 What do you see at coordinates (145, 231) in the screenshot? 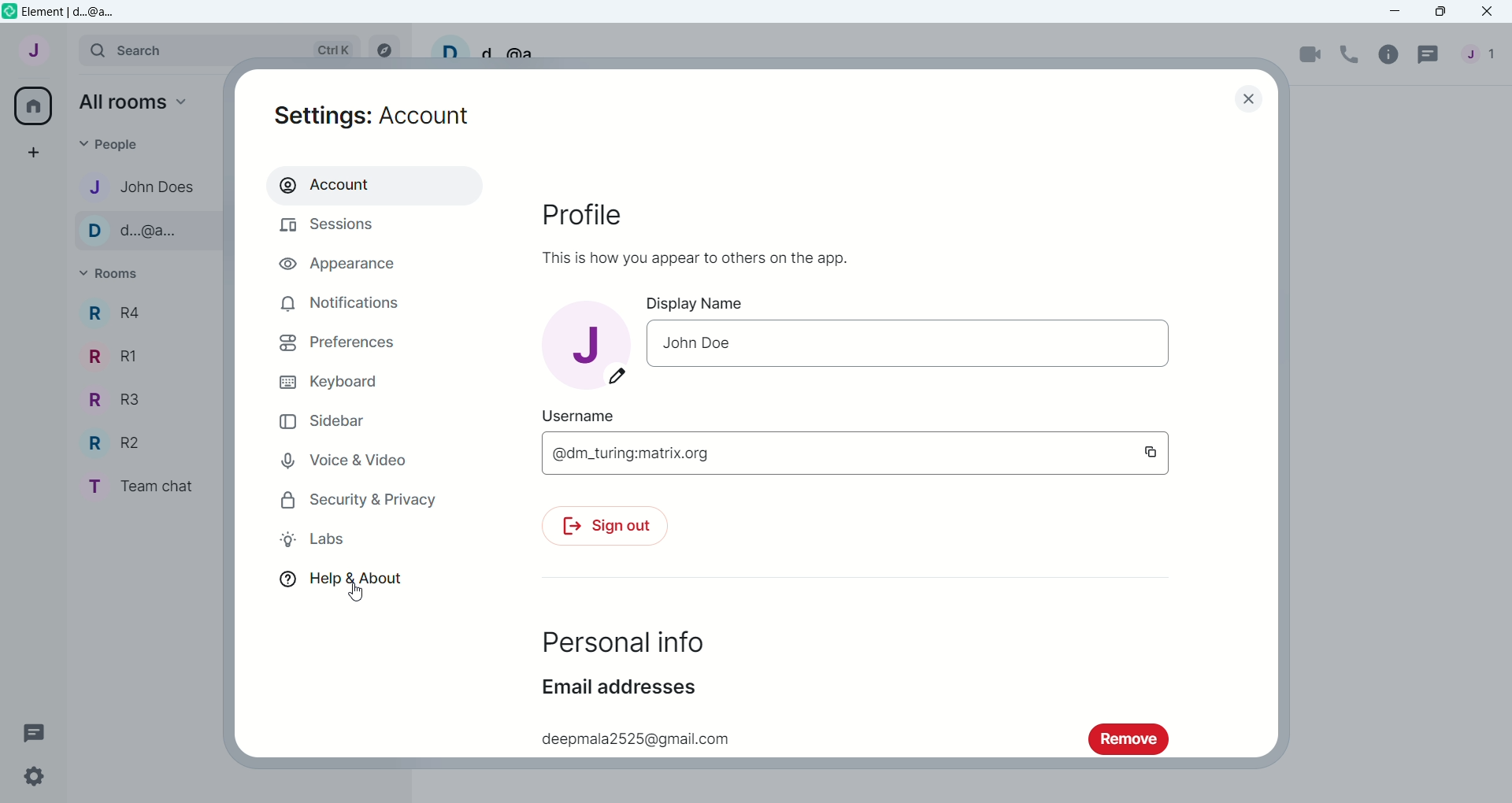
I see `Contact name` at bounding box center [145, 231].